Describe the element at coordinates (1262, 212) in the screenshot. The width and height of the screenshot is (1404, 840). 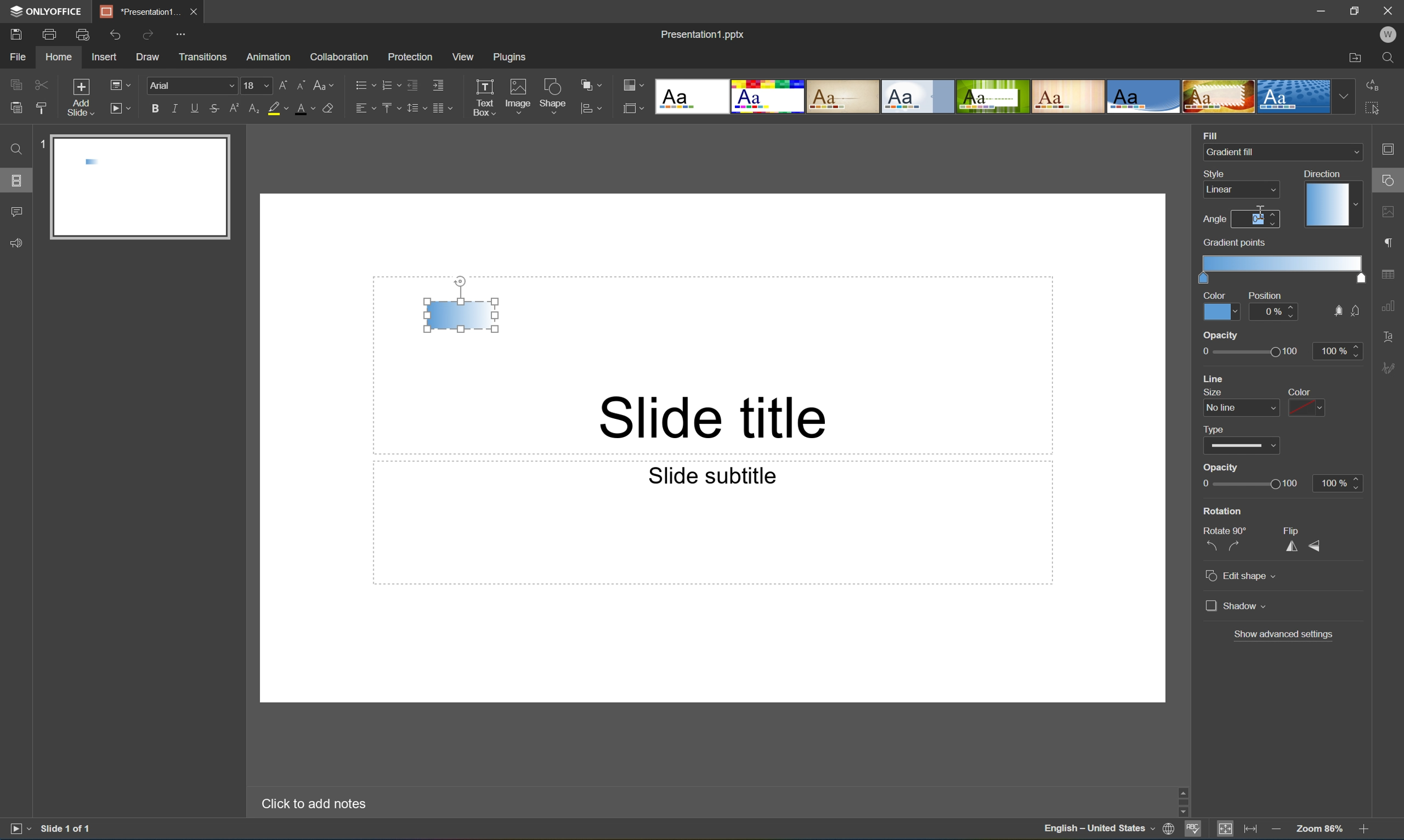
I see `Cursor` at that location.